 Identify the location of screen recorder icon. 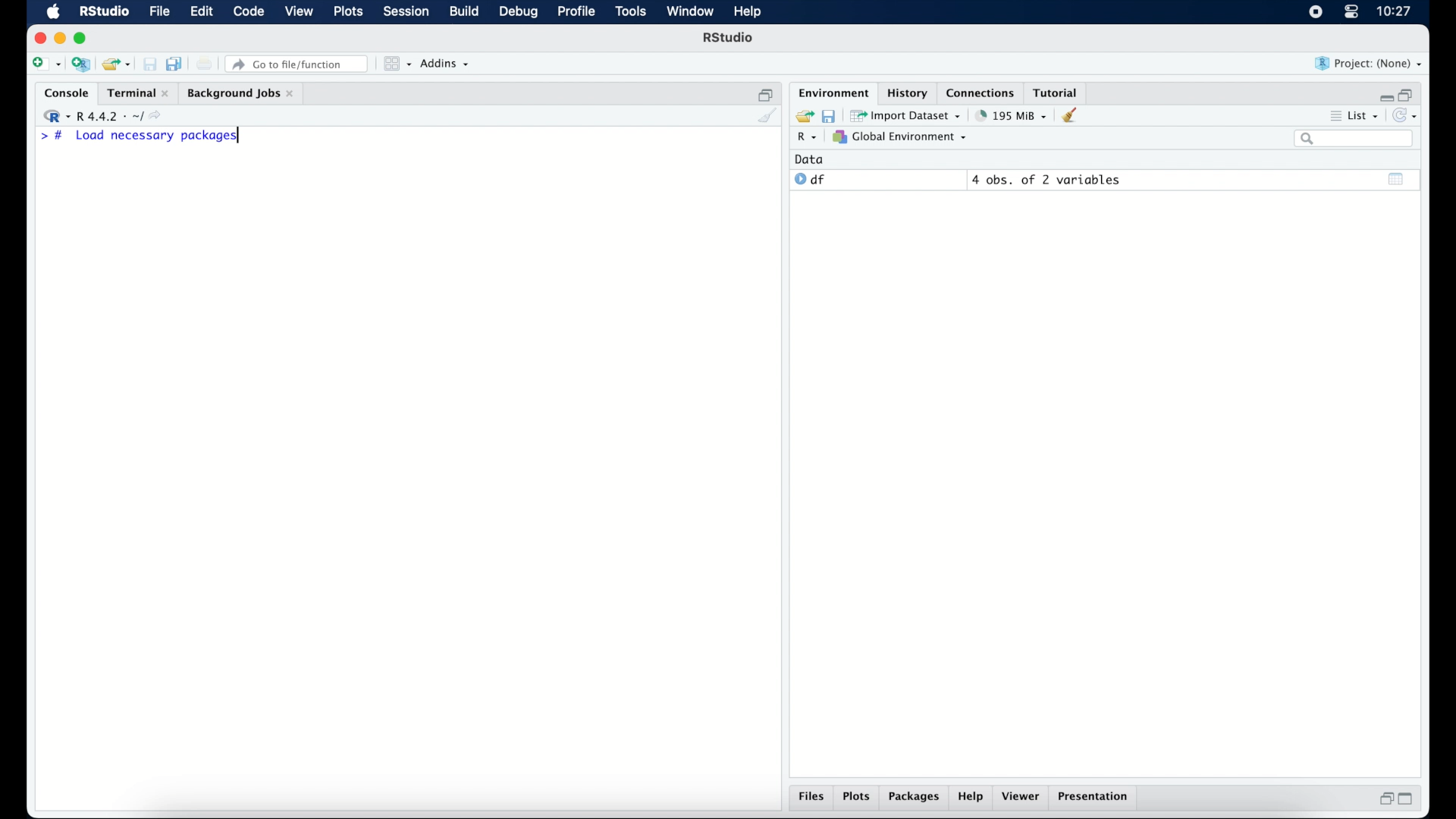
(1314, 12).